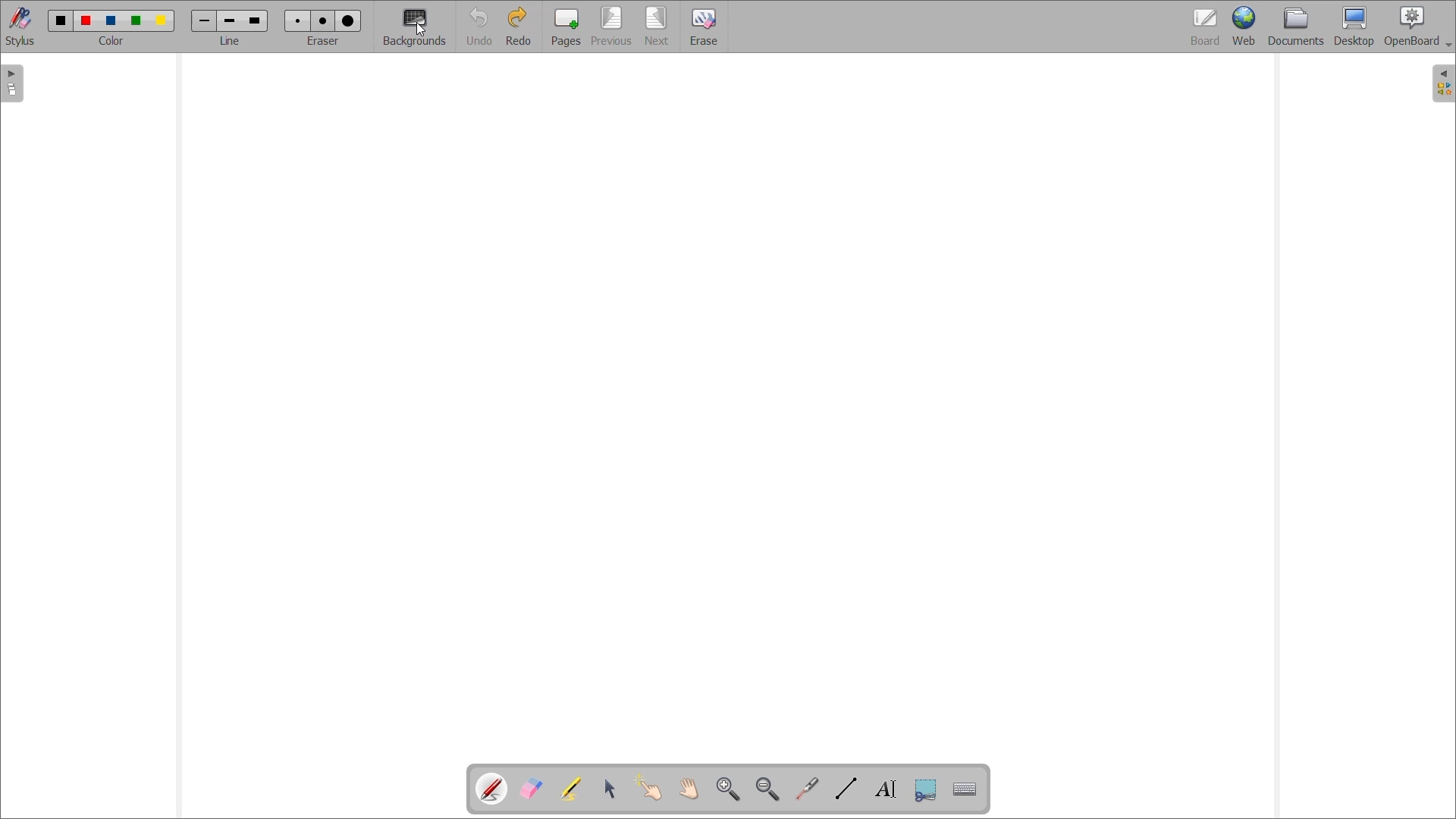  I want to click on Undo, so click(479, 27).